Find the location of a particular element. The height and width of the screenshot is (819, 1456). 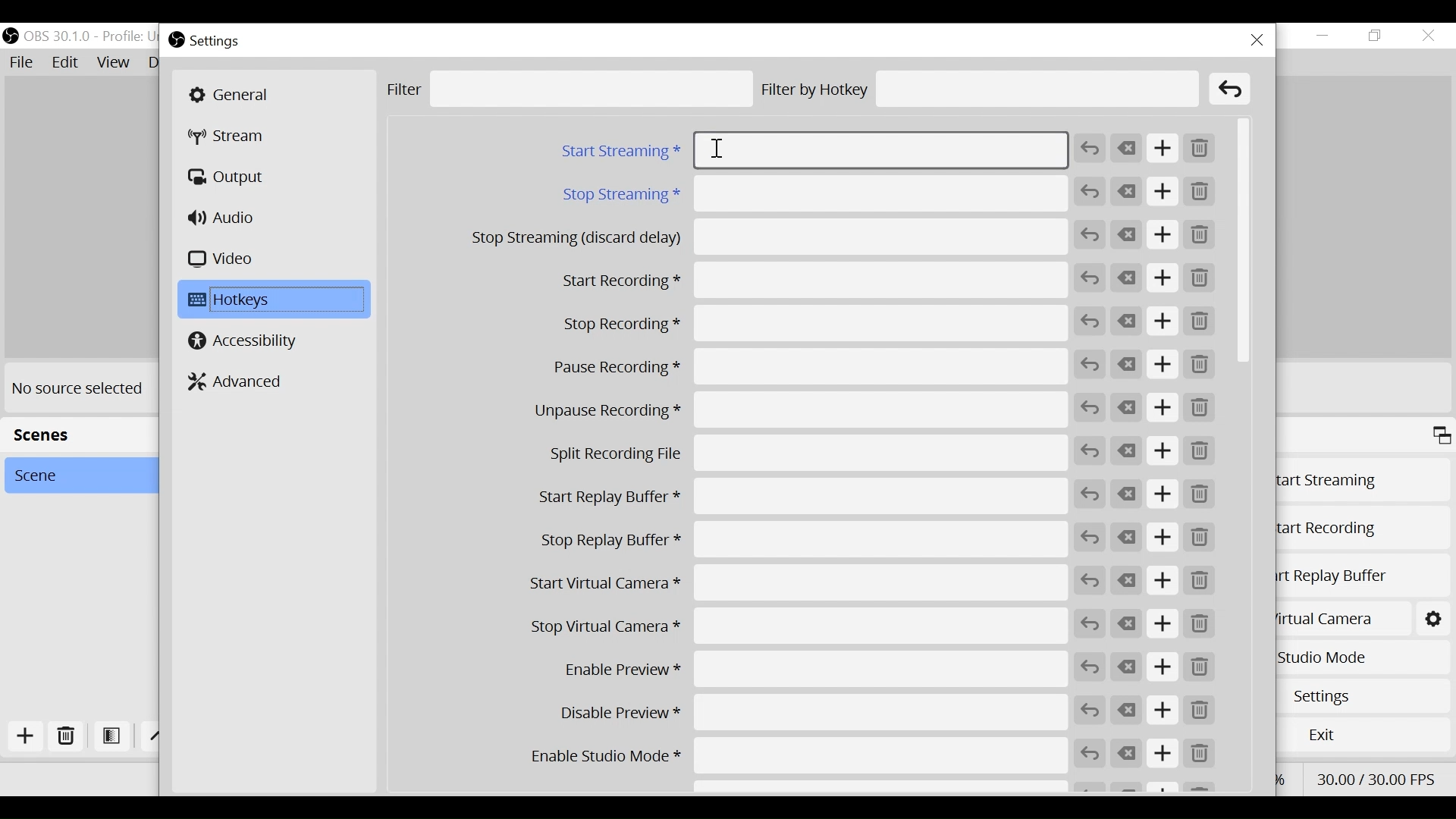

Add is located at coordinates (1163, 366).